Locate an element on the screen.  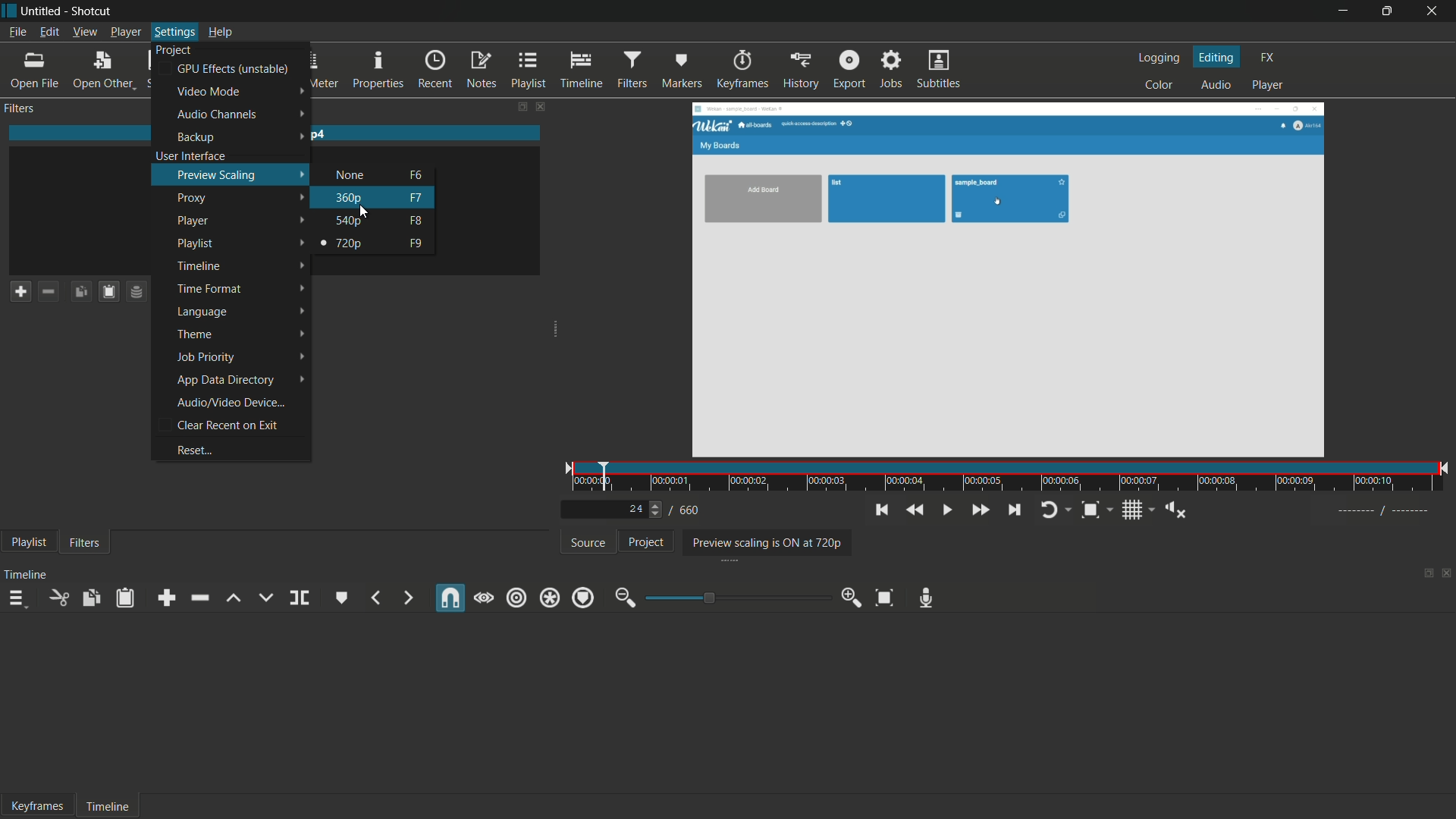
clear recent on exit is located at coordinates (226, 426).